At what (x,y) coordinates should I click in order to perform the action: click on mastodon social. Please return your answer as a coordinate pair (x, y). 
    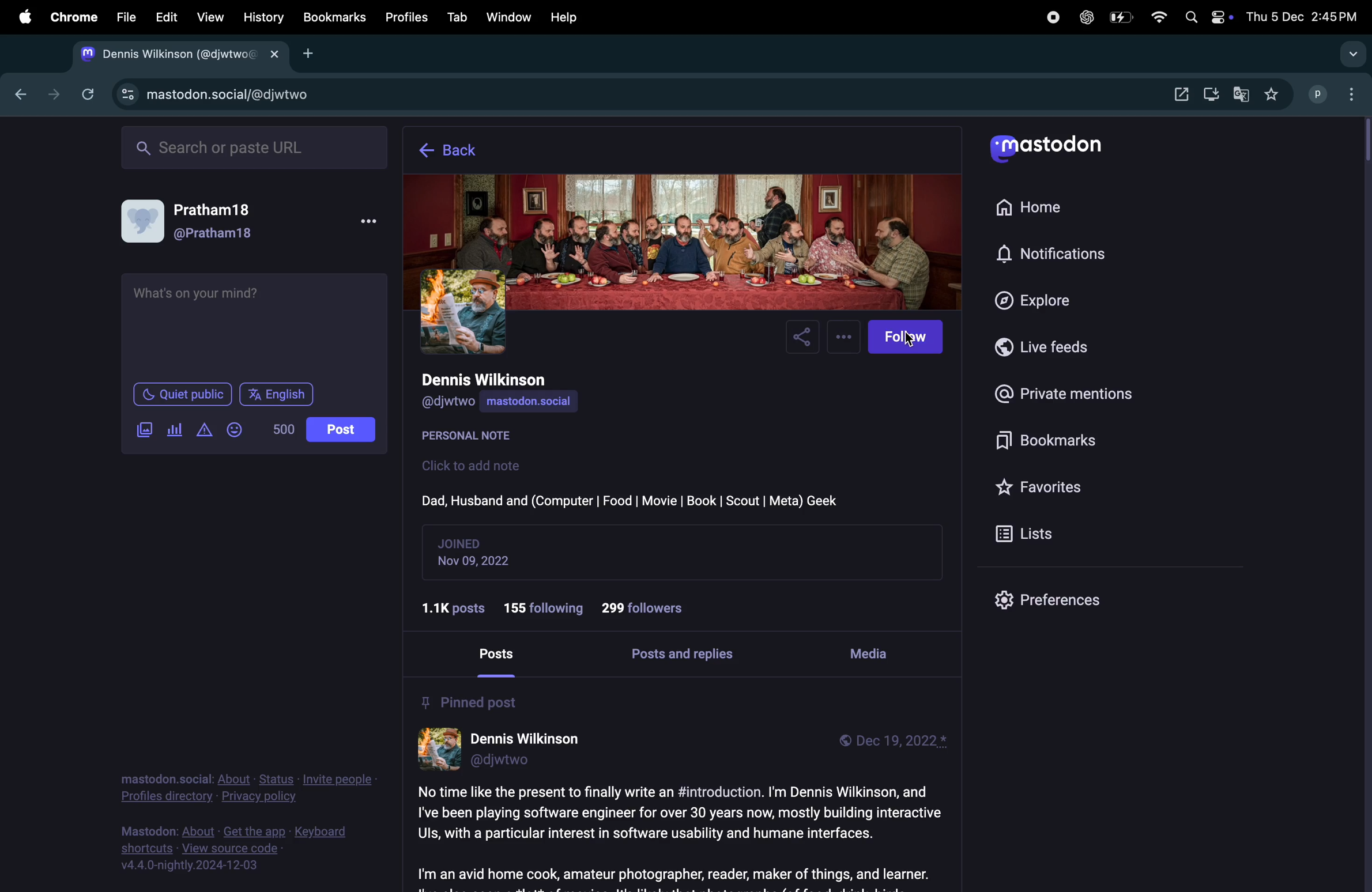
    Looking at the image, I should click on (546, 402).